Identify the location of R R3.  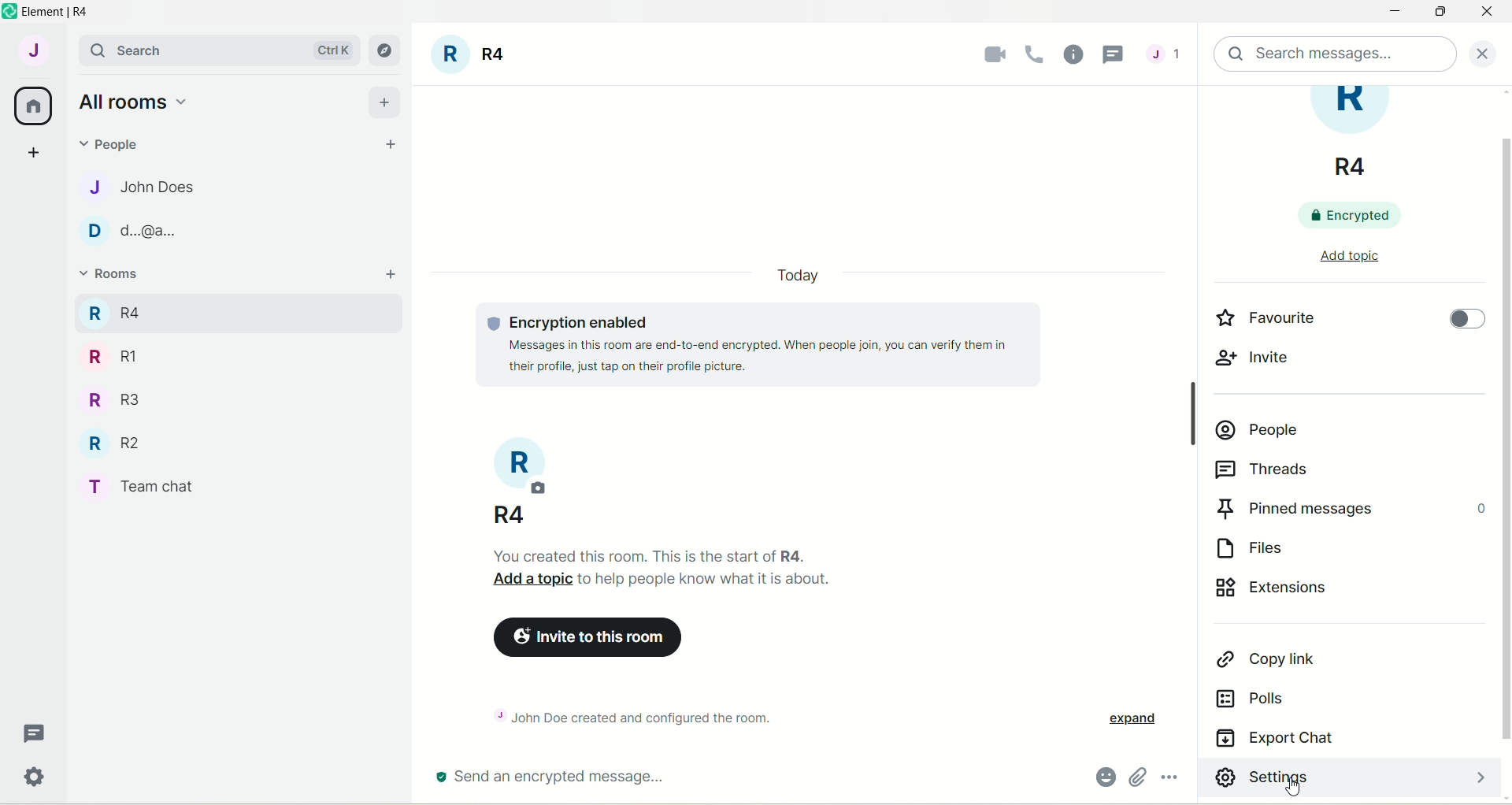
(109, 398).